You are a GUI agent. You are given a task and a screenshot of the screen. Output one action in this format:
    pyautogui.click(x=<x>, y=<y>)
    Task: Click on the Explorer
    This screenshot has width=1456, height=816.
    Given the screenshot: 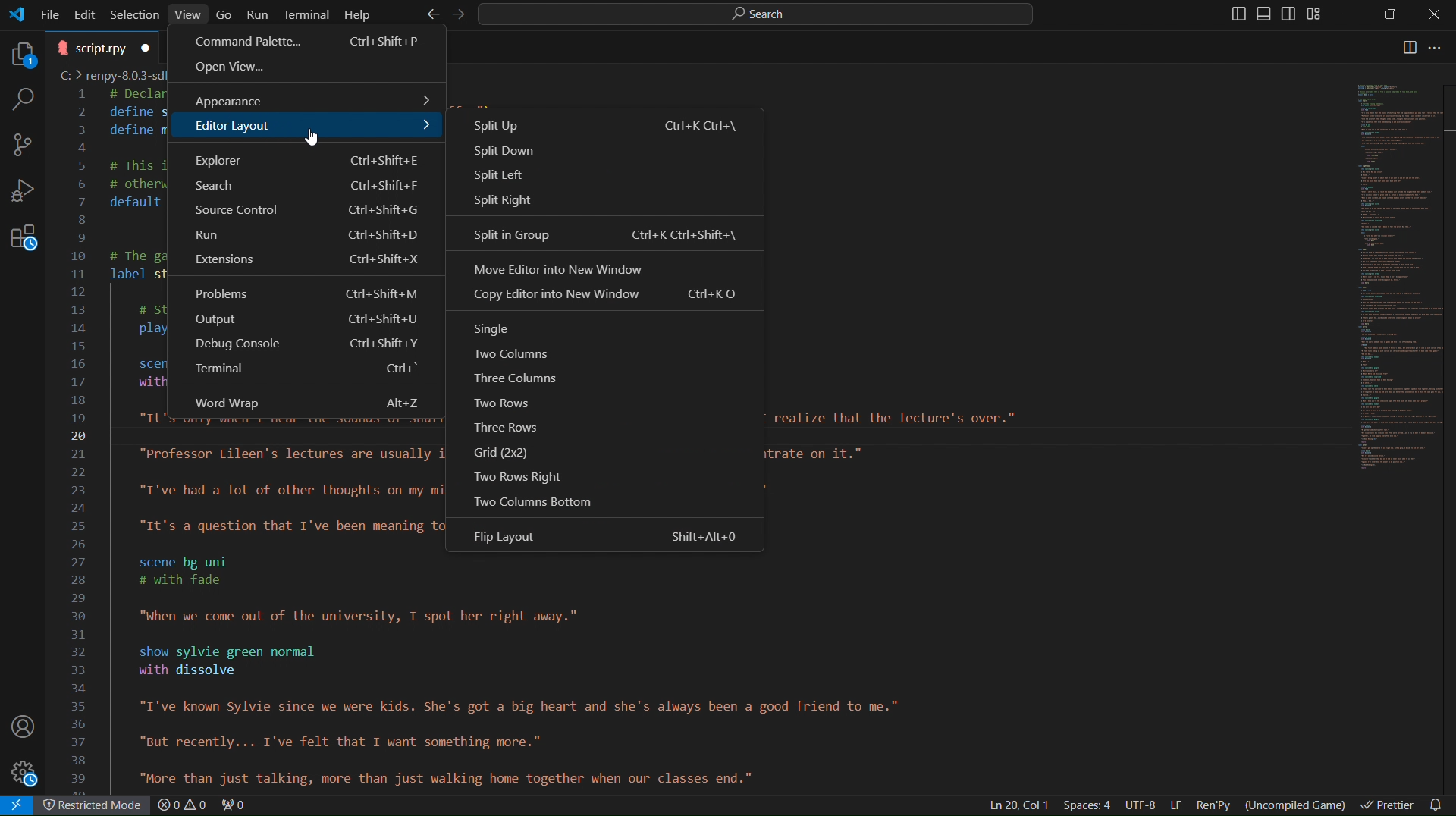 What is the action you would take?
    pyautogui.click(x=19, y=52)
    